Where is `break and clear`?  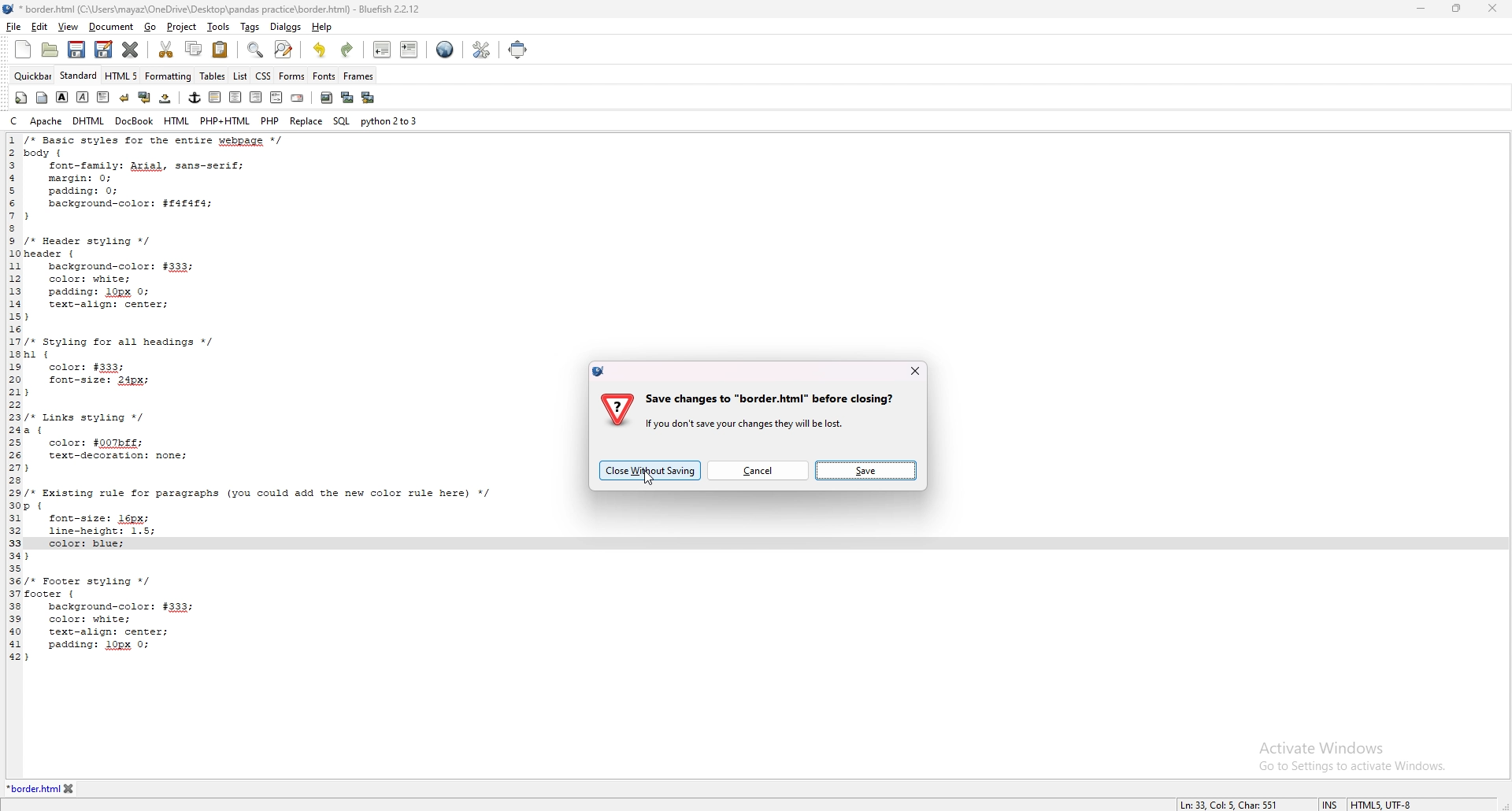 break and clear is located at coordinates (145, 98).